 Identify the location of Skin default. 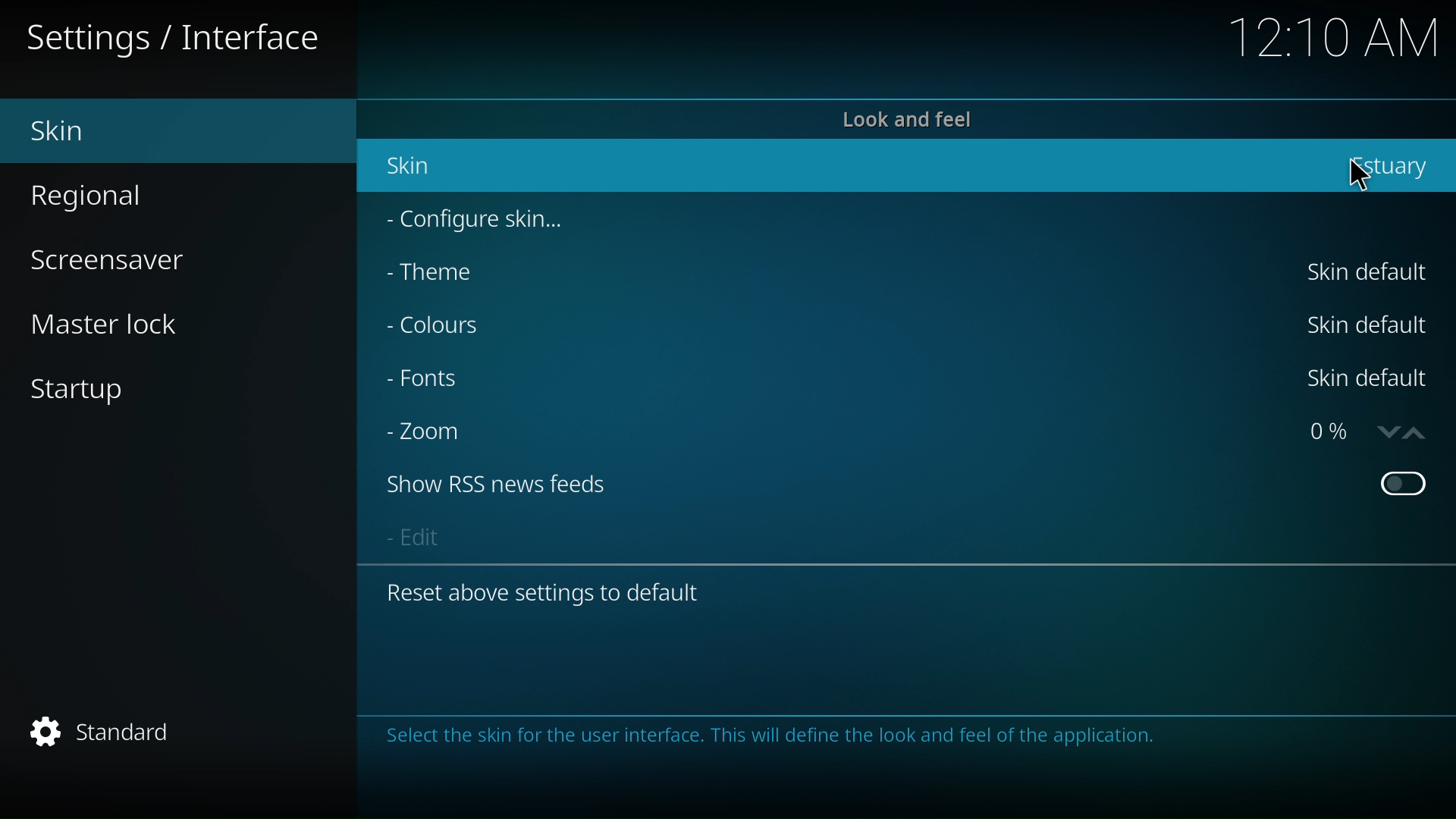
(1361, 378).